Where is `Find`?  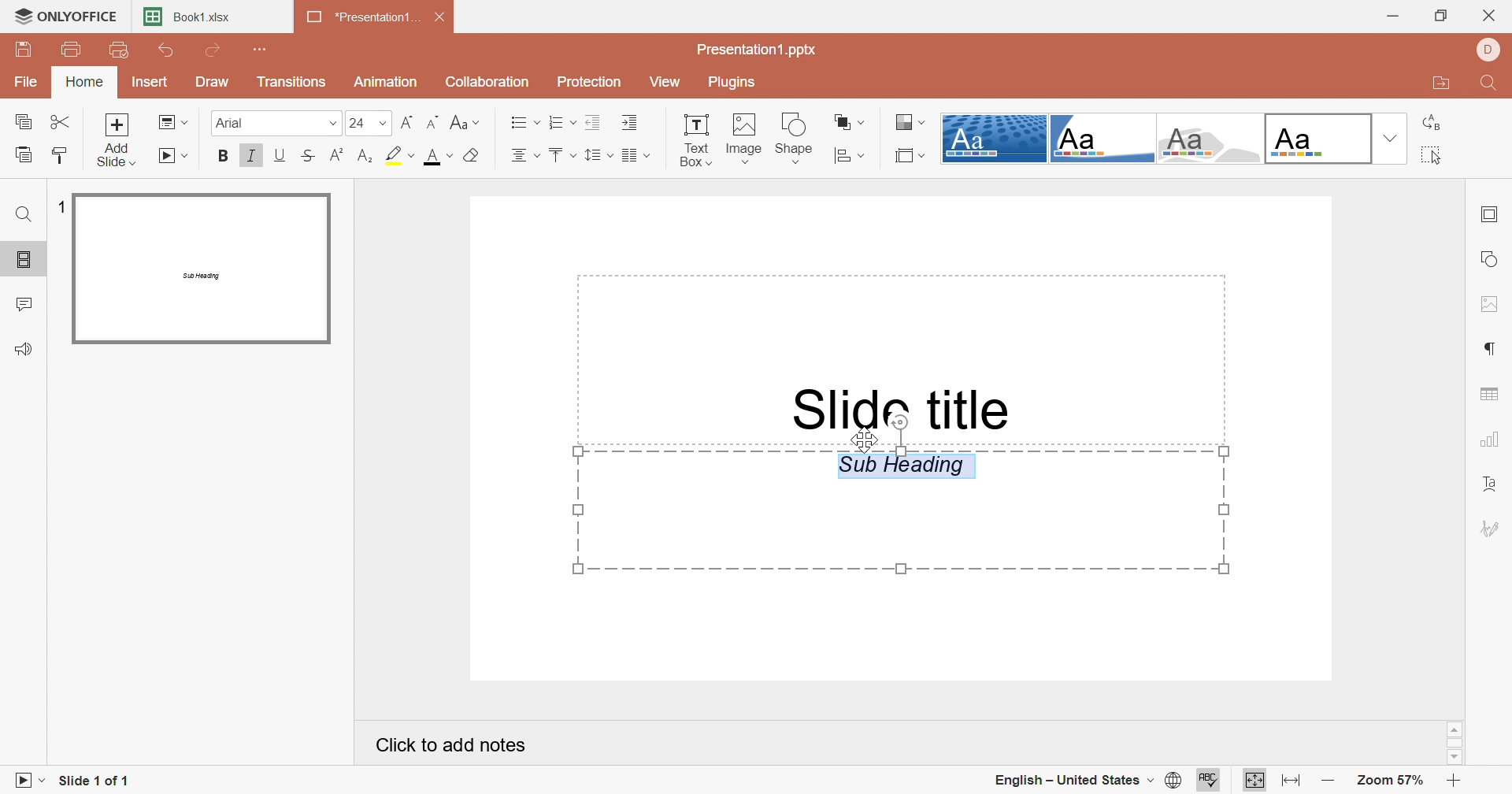
Find is located at coordinates (1495, 84).